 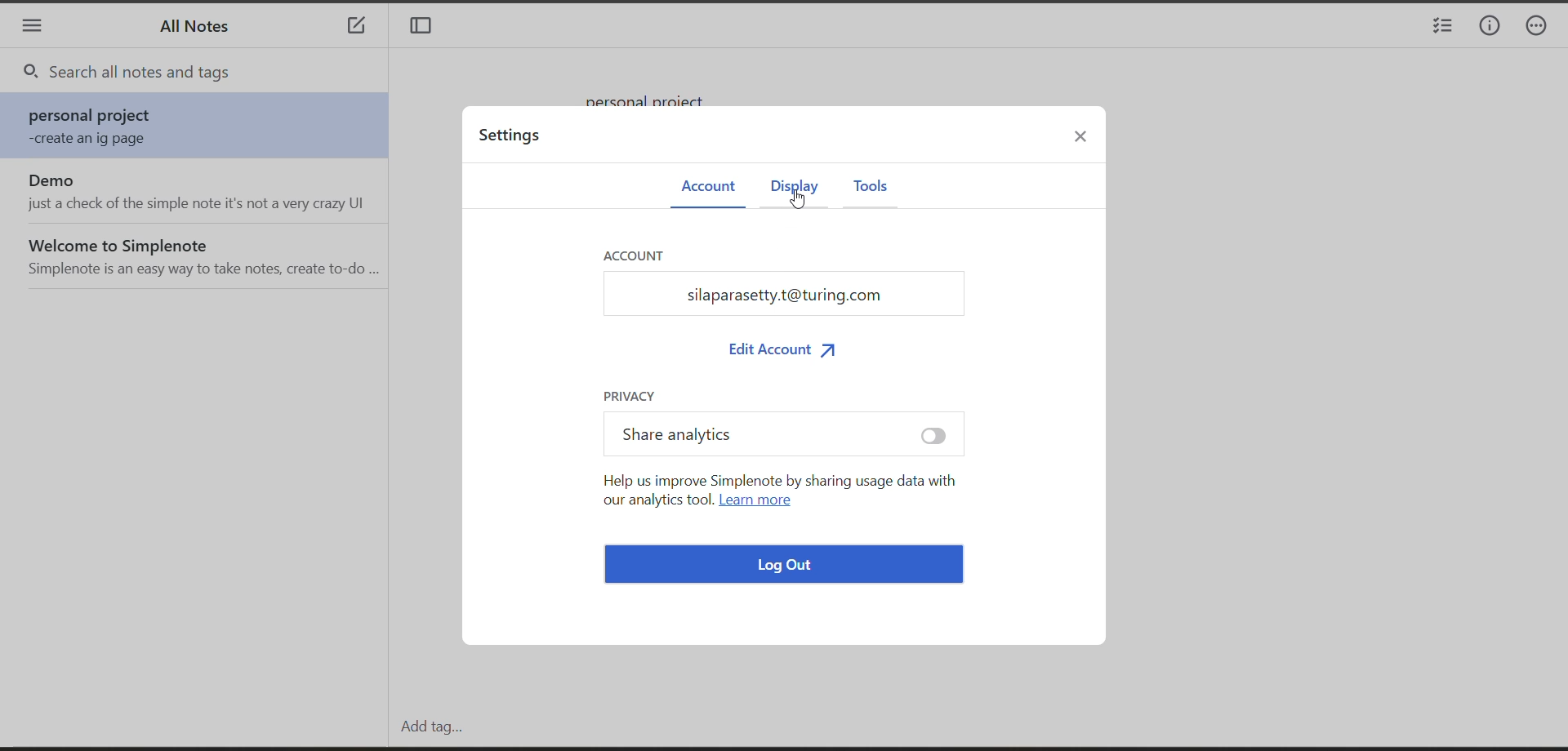 I want to click on toggle focus mode, so click(x=426, y=28).